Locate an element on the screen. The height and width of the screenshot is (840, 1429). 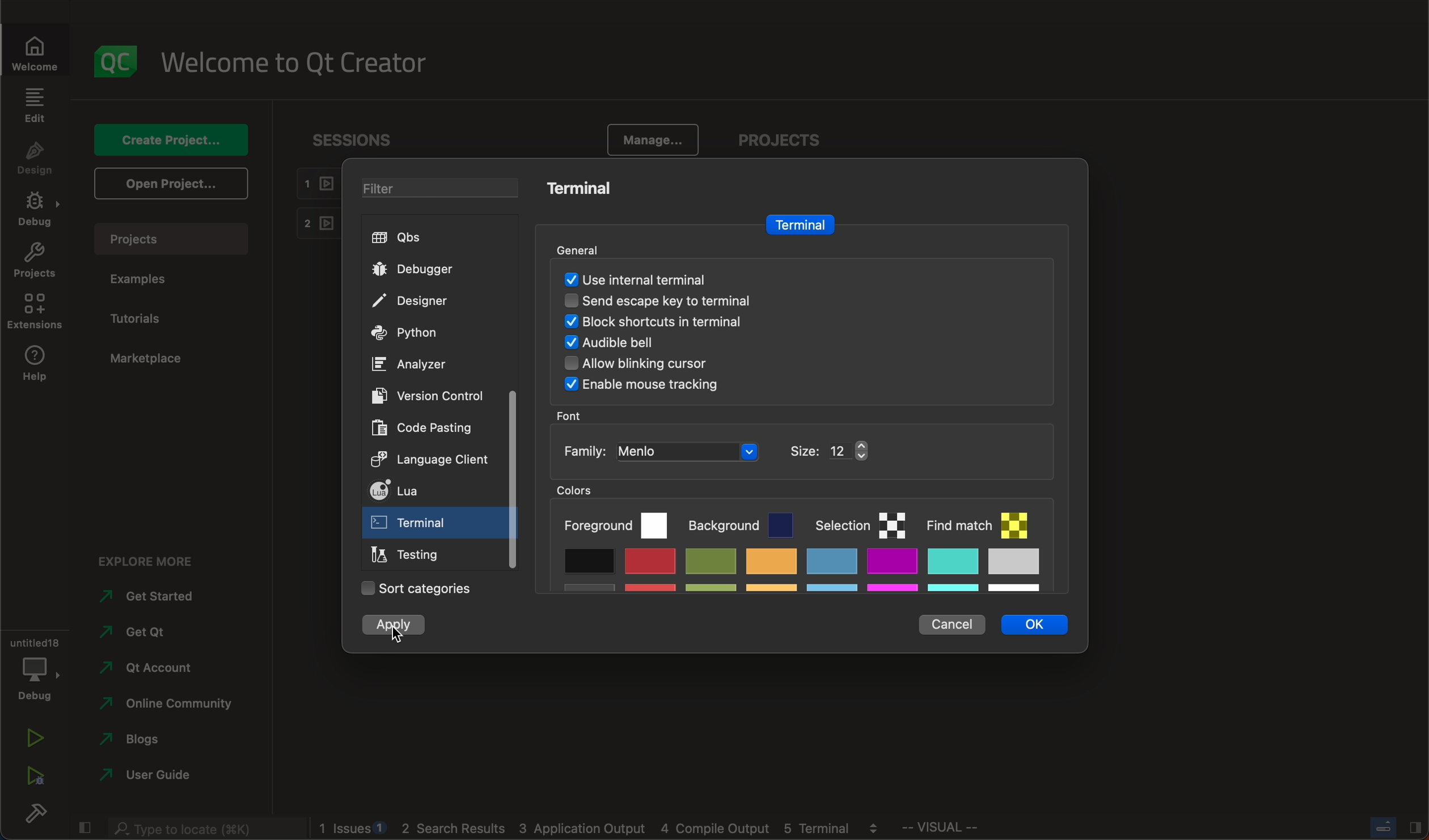
explore is located at coordinates (146, 557).